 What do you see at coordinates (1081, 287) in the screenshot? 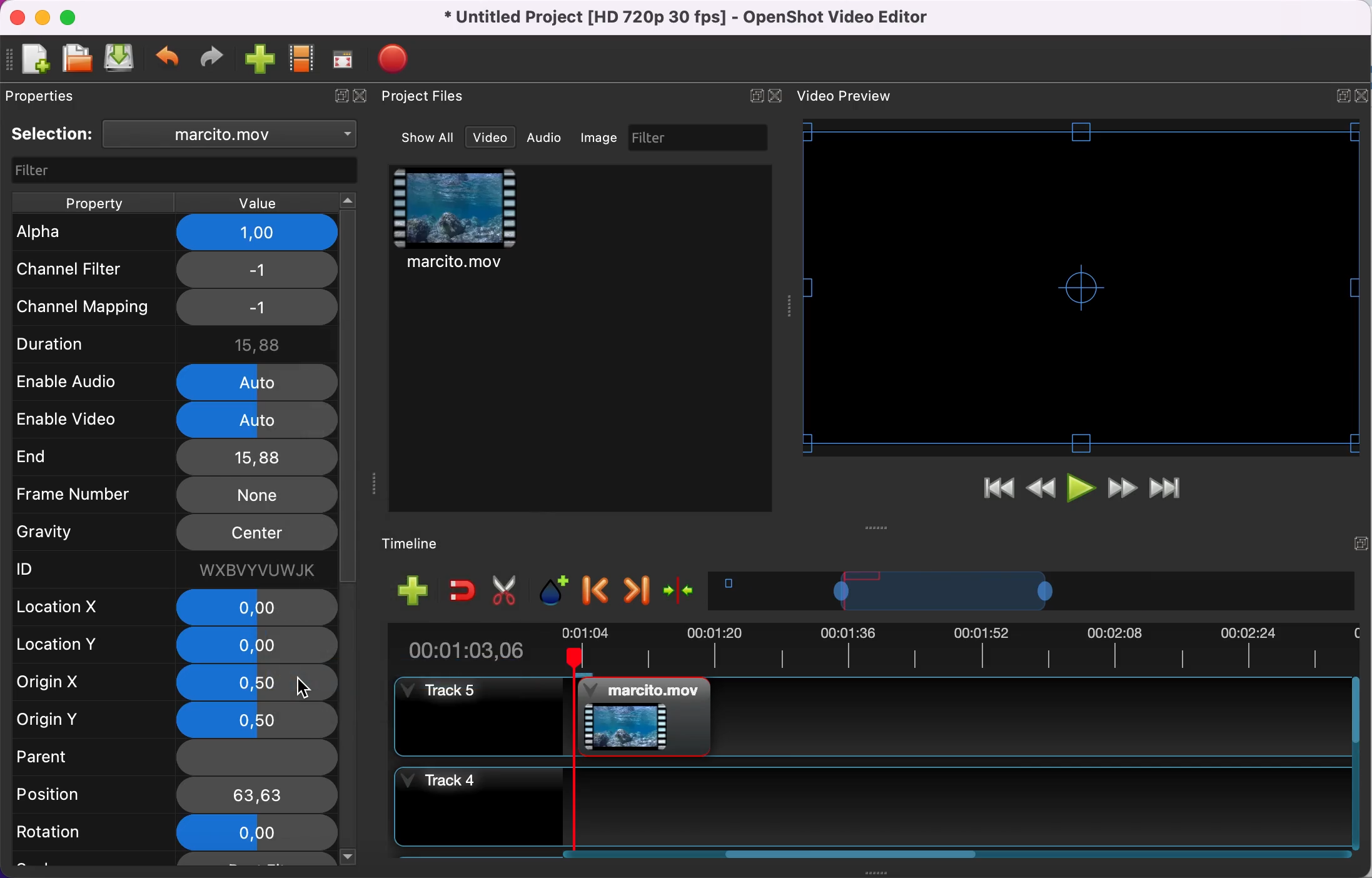
I see `Video preview` at bounding box center [1081, 287].